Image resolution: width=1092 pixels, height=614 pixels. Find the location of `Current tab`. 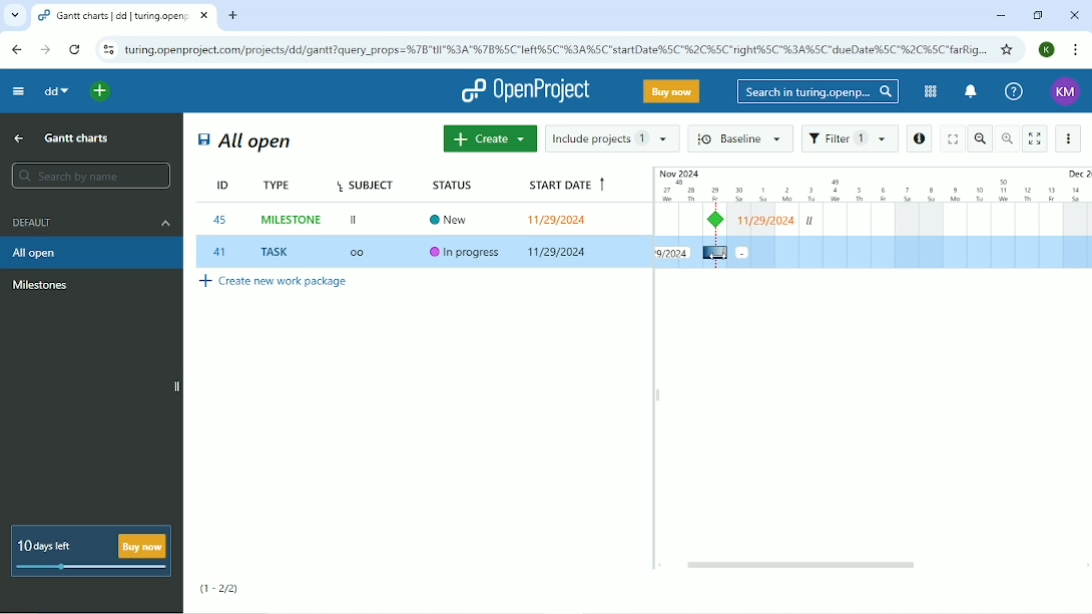

Current tab is located at coordinates (124, 16).